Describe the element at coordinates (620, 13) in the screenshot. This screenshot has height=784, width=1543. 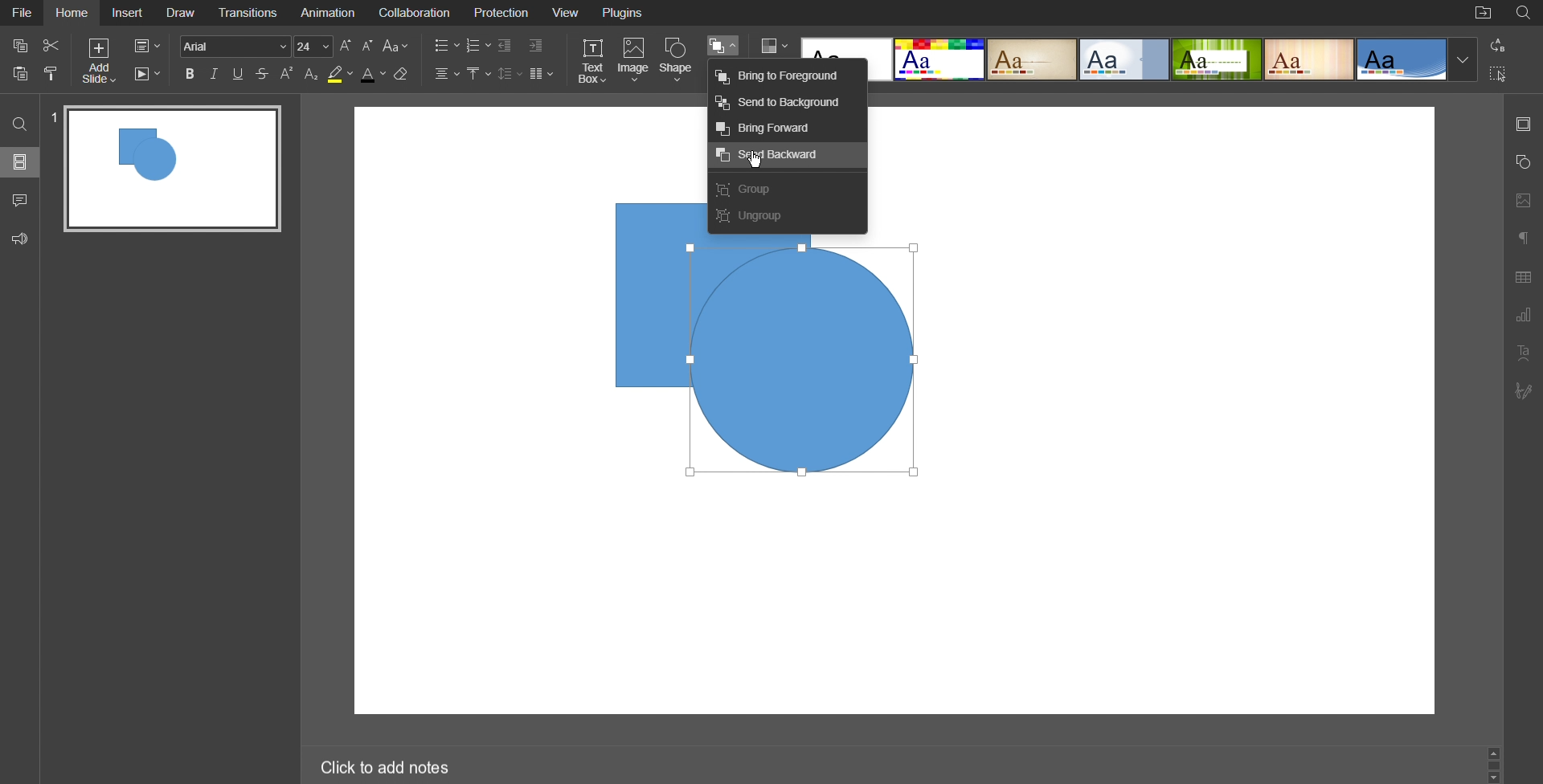
I see `Plugins` at that location.